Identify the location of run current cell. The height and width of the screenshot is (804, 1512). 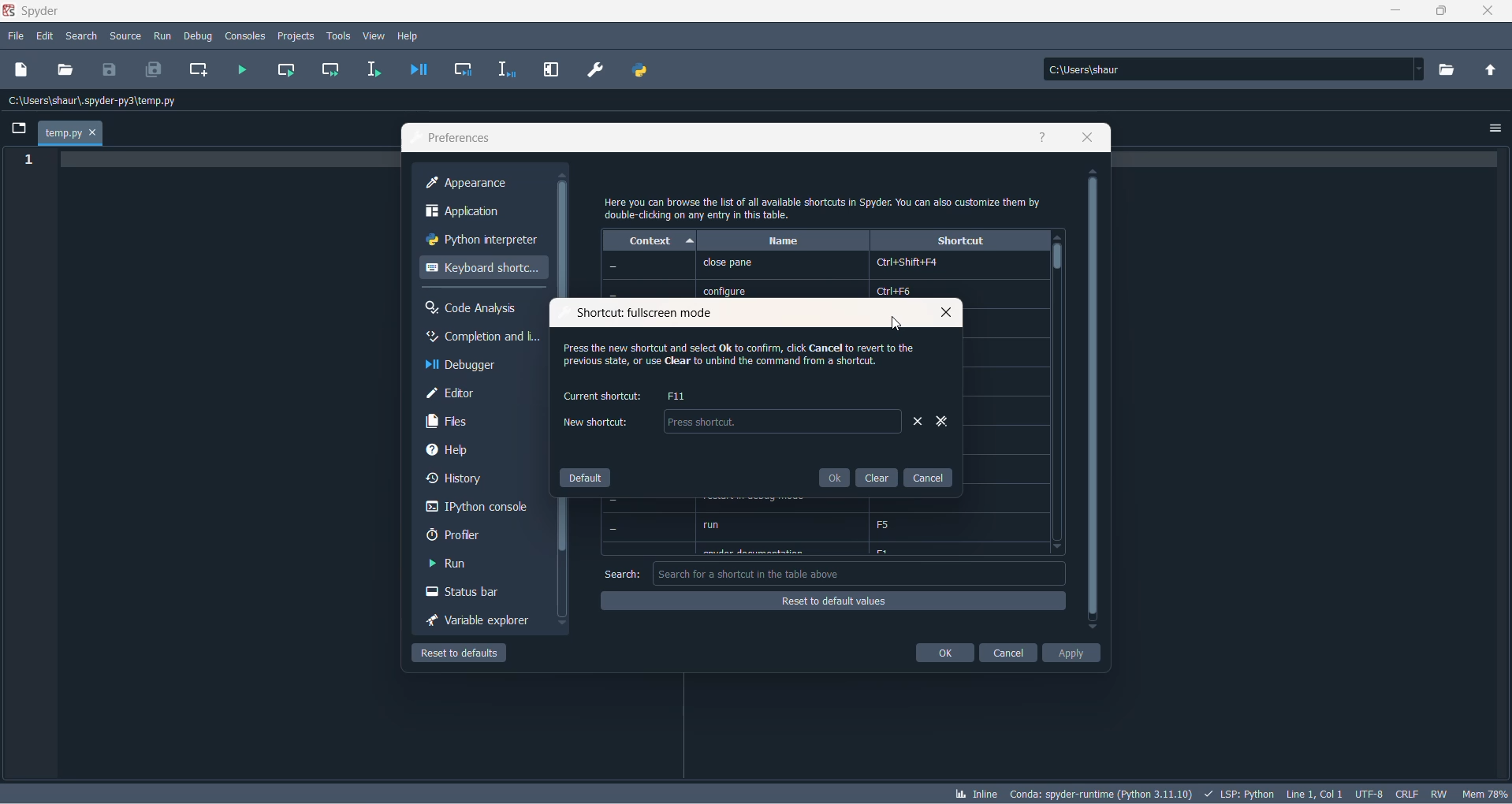
(283, 71).